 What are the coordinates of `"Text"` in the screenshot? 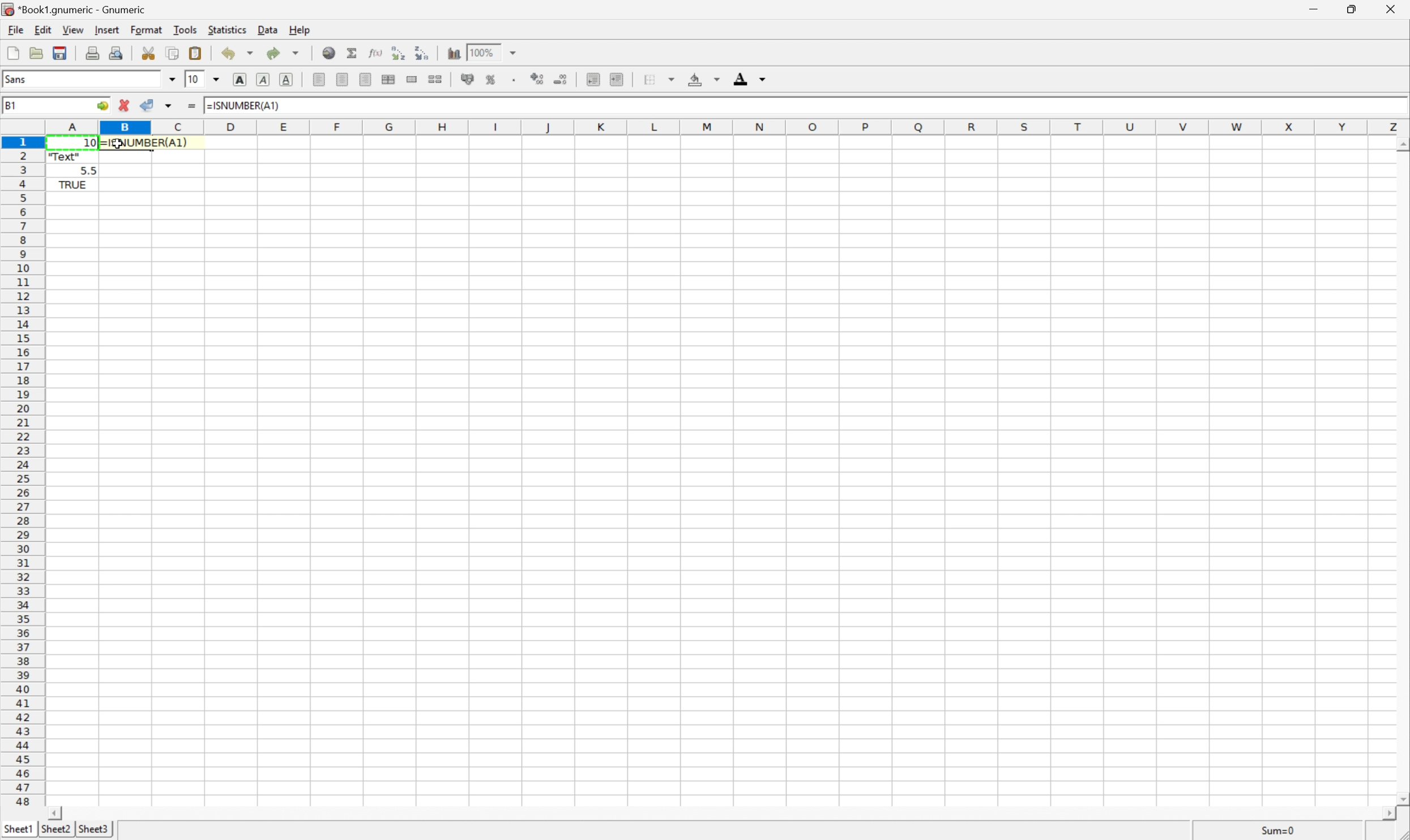 It's located at (65, 158).